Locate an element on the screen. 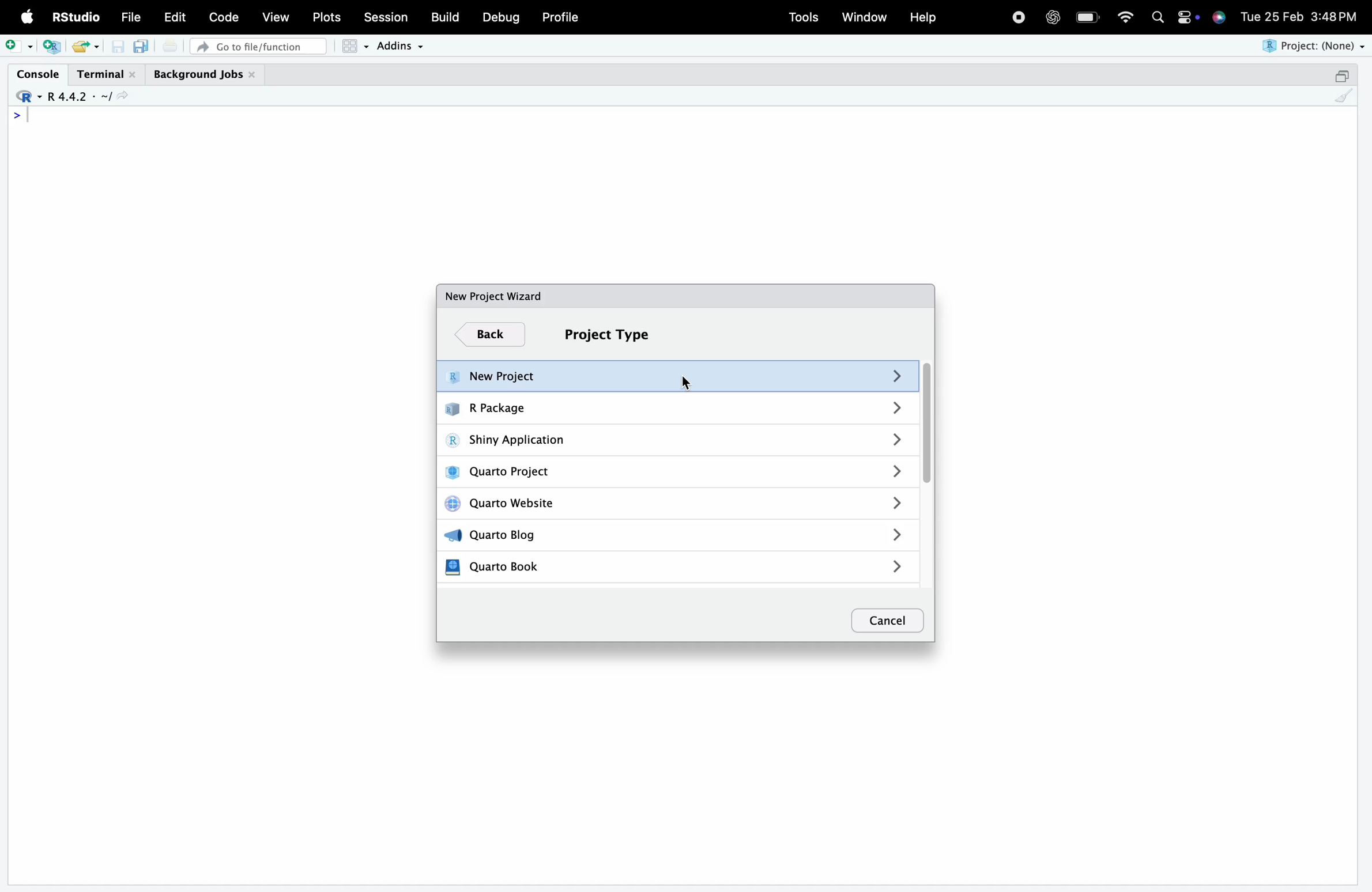  Save current document is located at coordinates (118, 47).